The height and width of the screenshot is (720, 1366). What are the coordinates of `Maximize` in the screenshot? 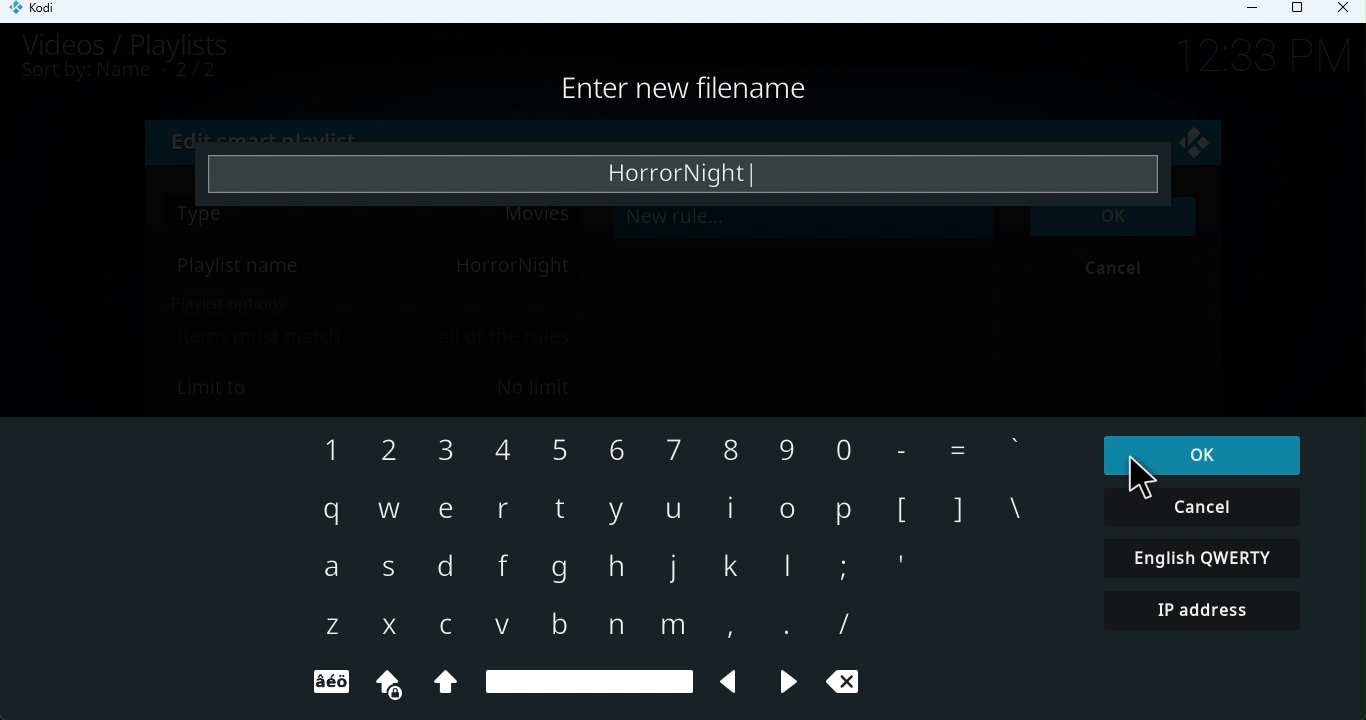 It's located at (1301, 9).